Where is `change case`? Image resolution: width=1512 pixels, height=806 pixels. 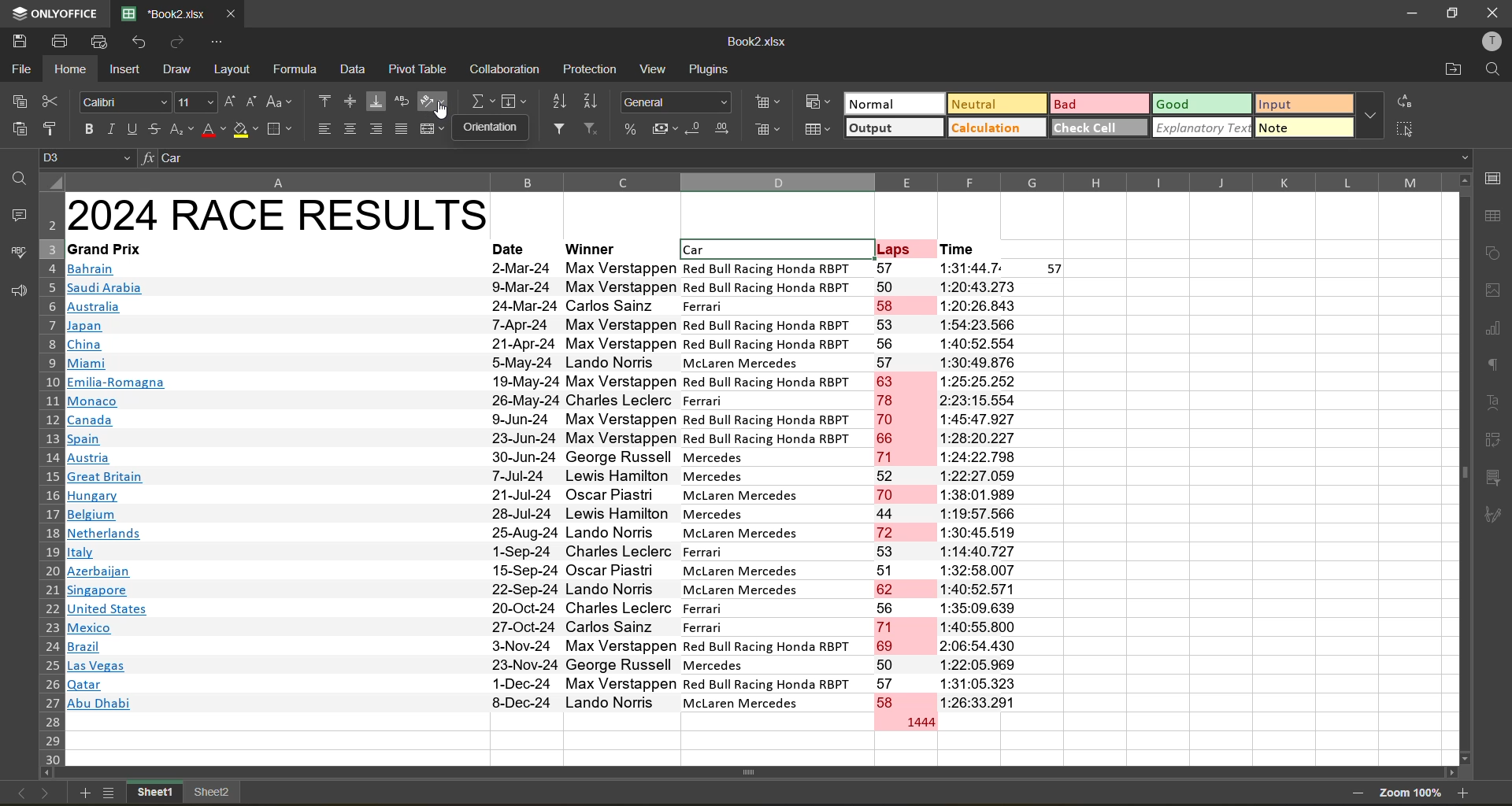 change case is located at coordinates (280, 102).